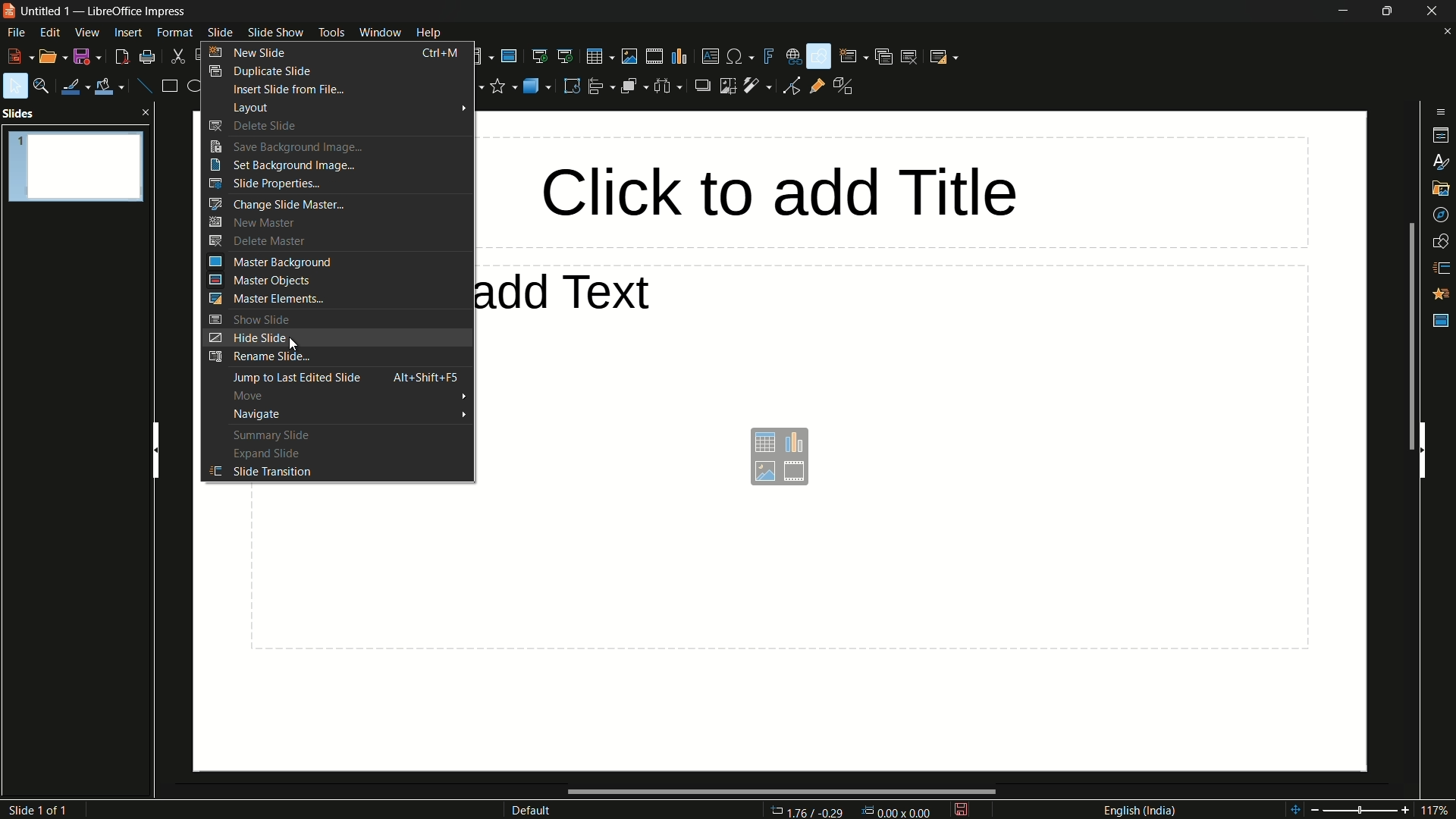  I want to click on delete slide, so click(908, 55).